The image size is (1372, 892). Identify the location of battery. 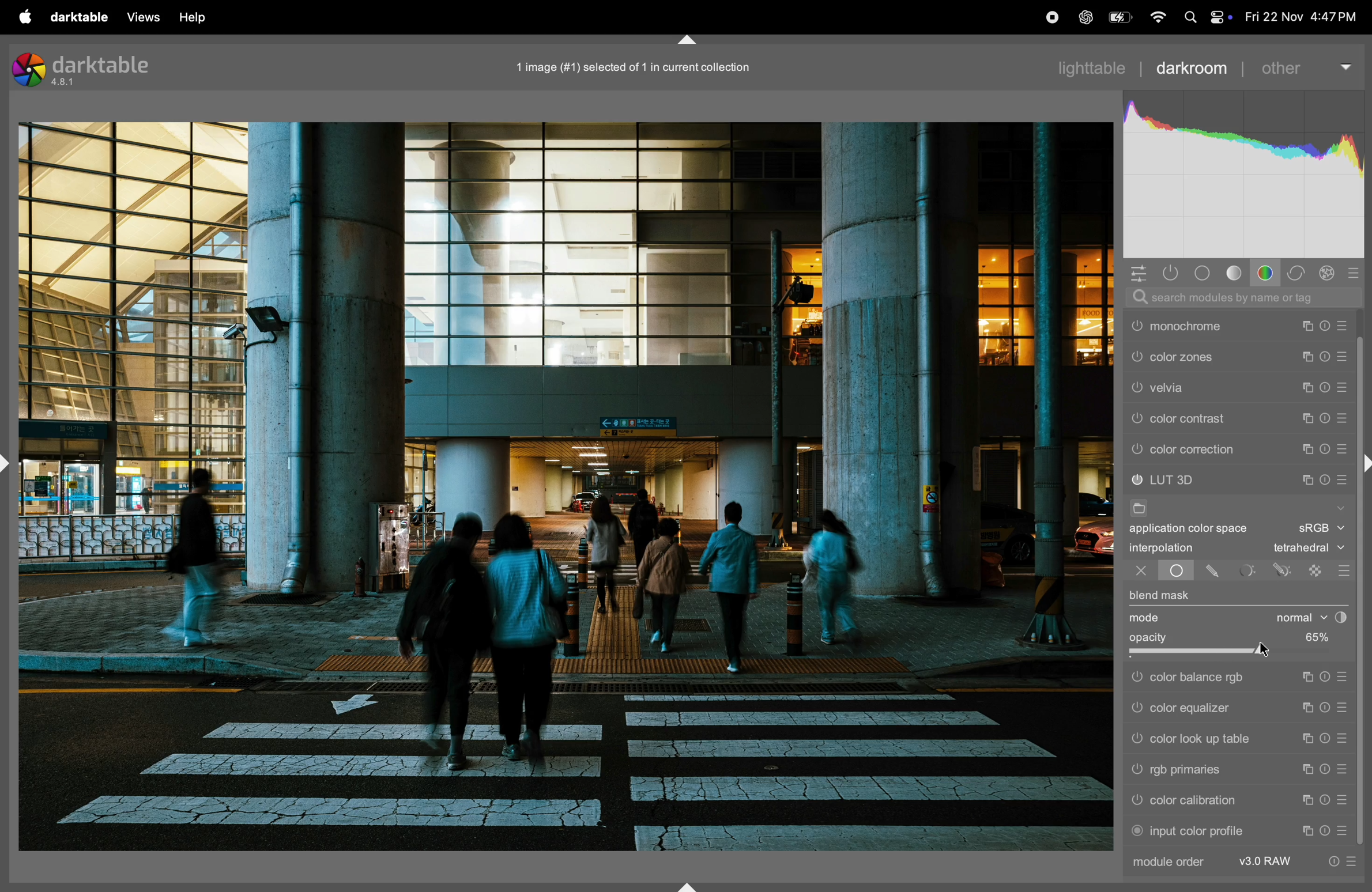
(1117, 19).